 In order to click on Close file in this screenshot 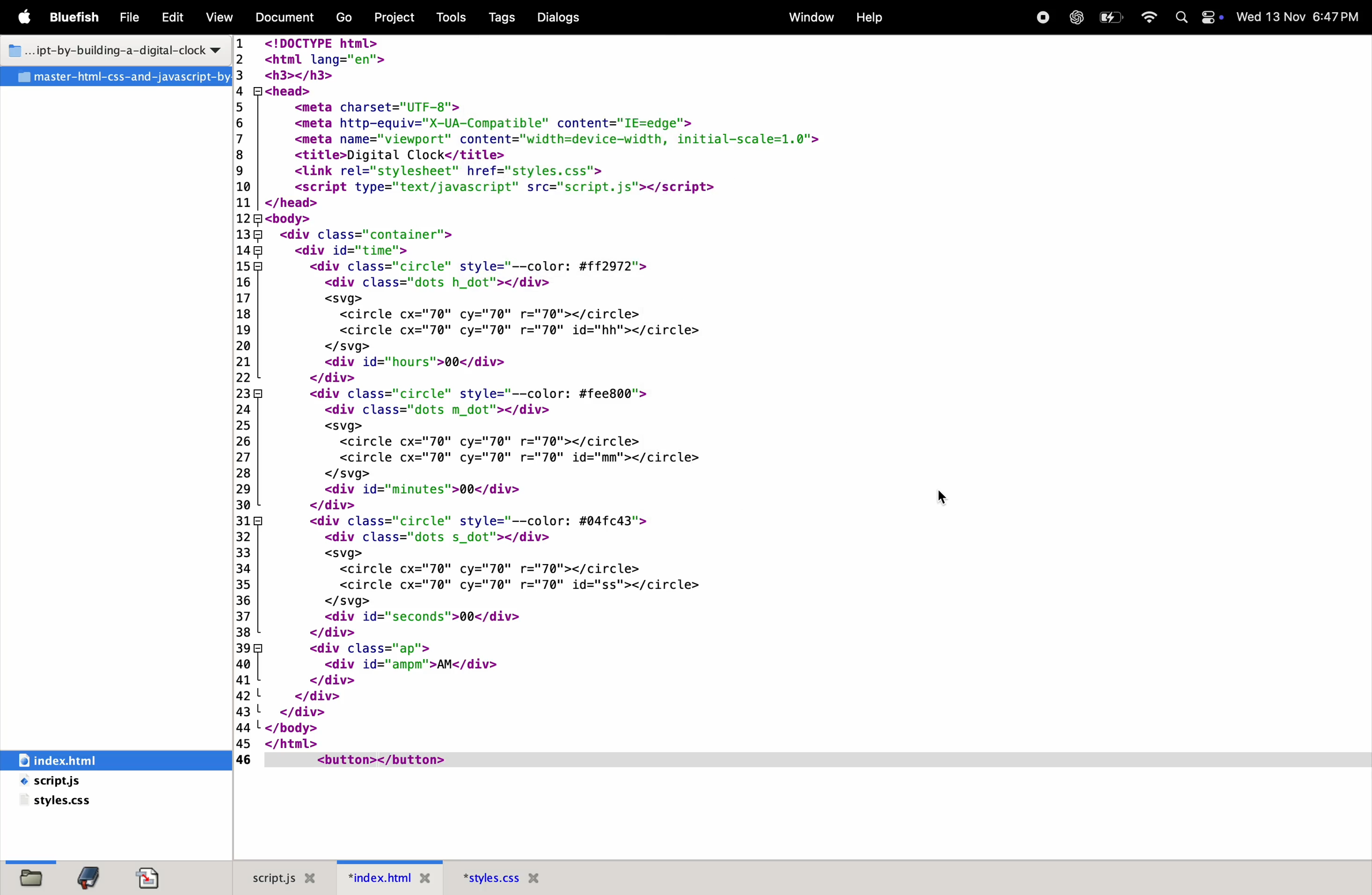, I will do `click(314, 878)`.